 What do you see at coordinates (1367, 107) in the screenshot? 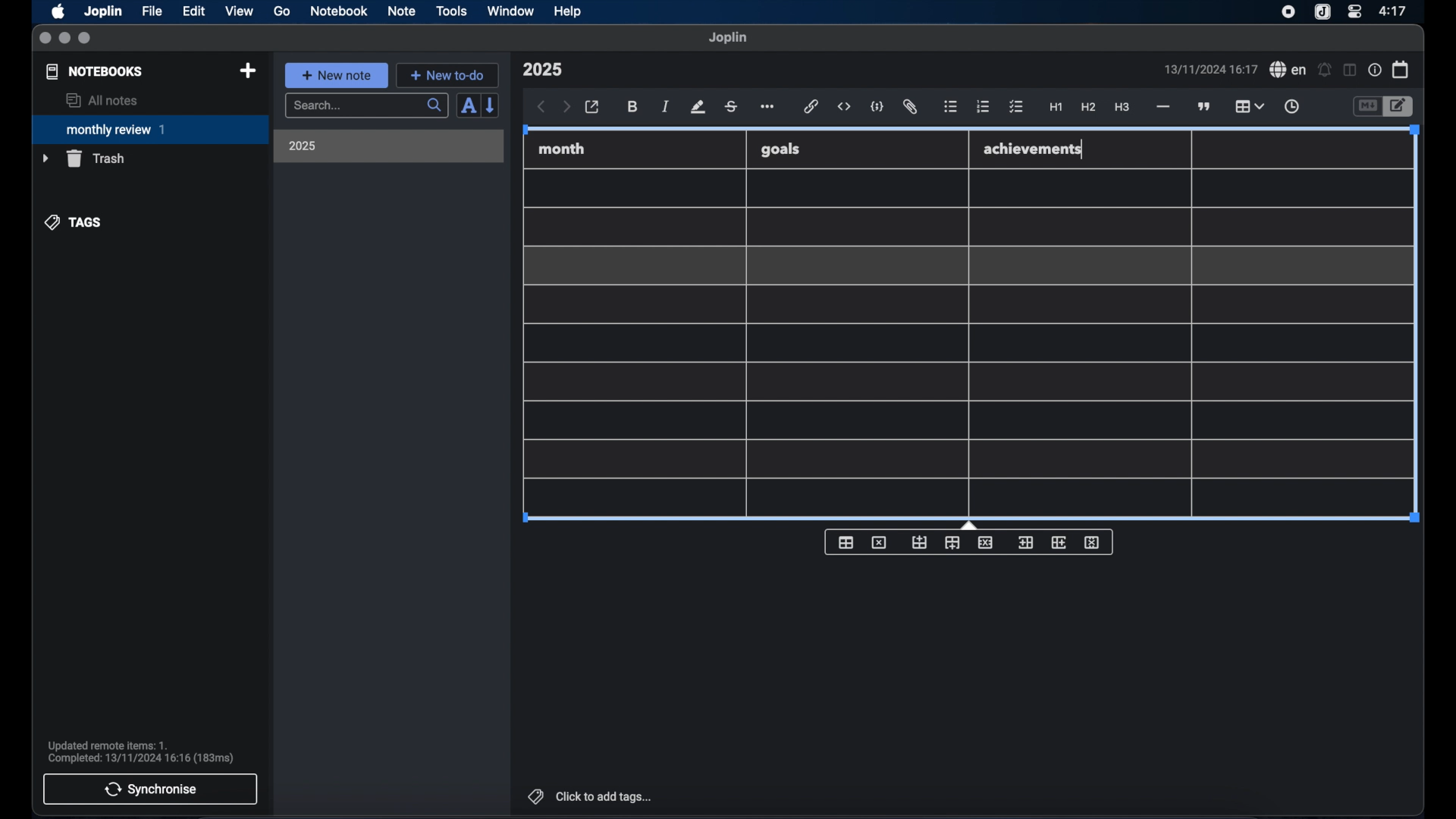
I see `toggle editor` at bounding box center [1367, 107].